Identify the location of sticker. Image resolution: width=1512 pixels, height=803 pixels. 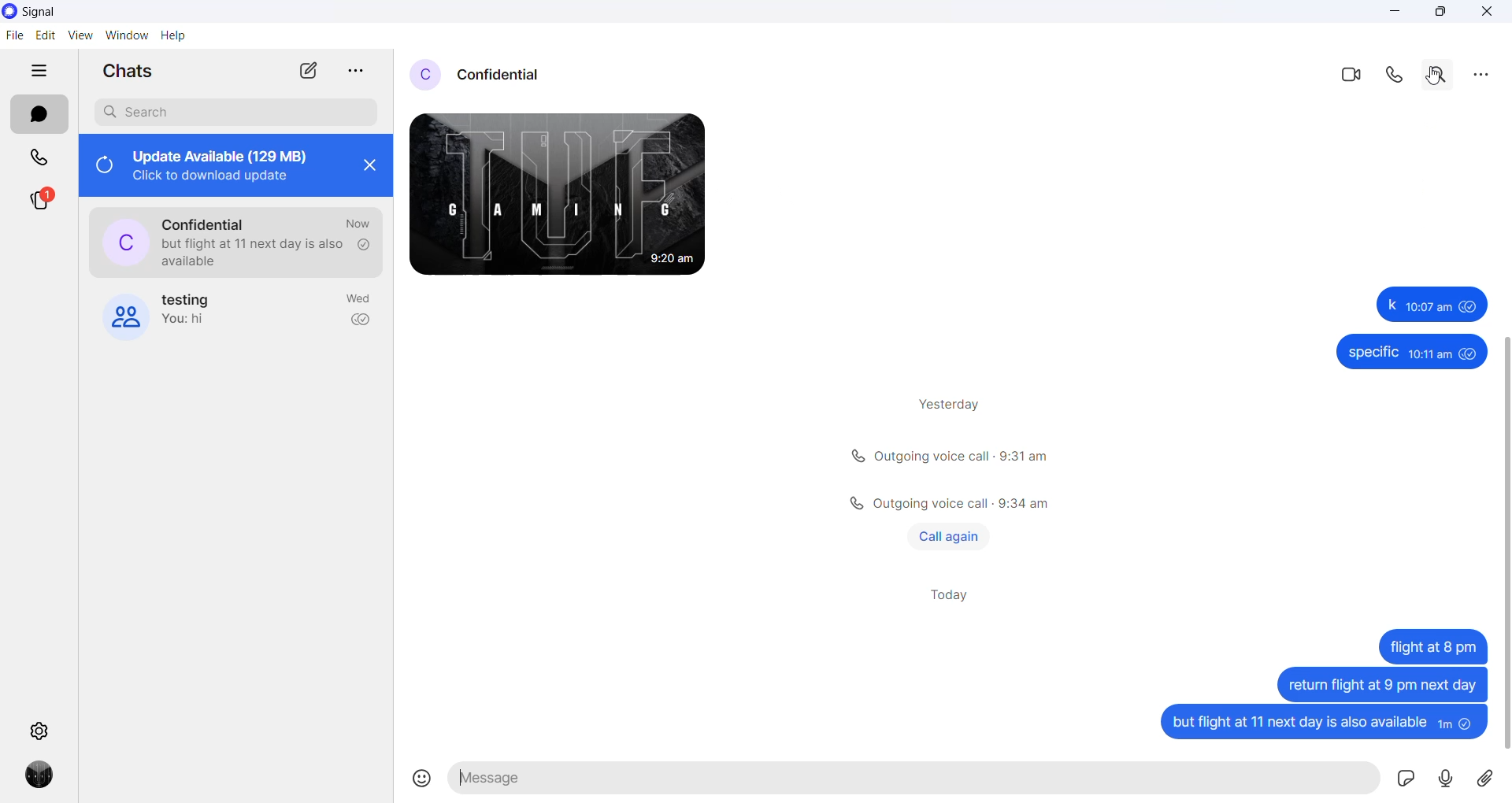
(1407, 780).